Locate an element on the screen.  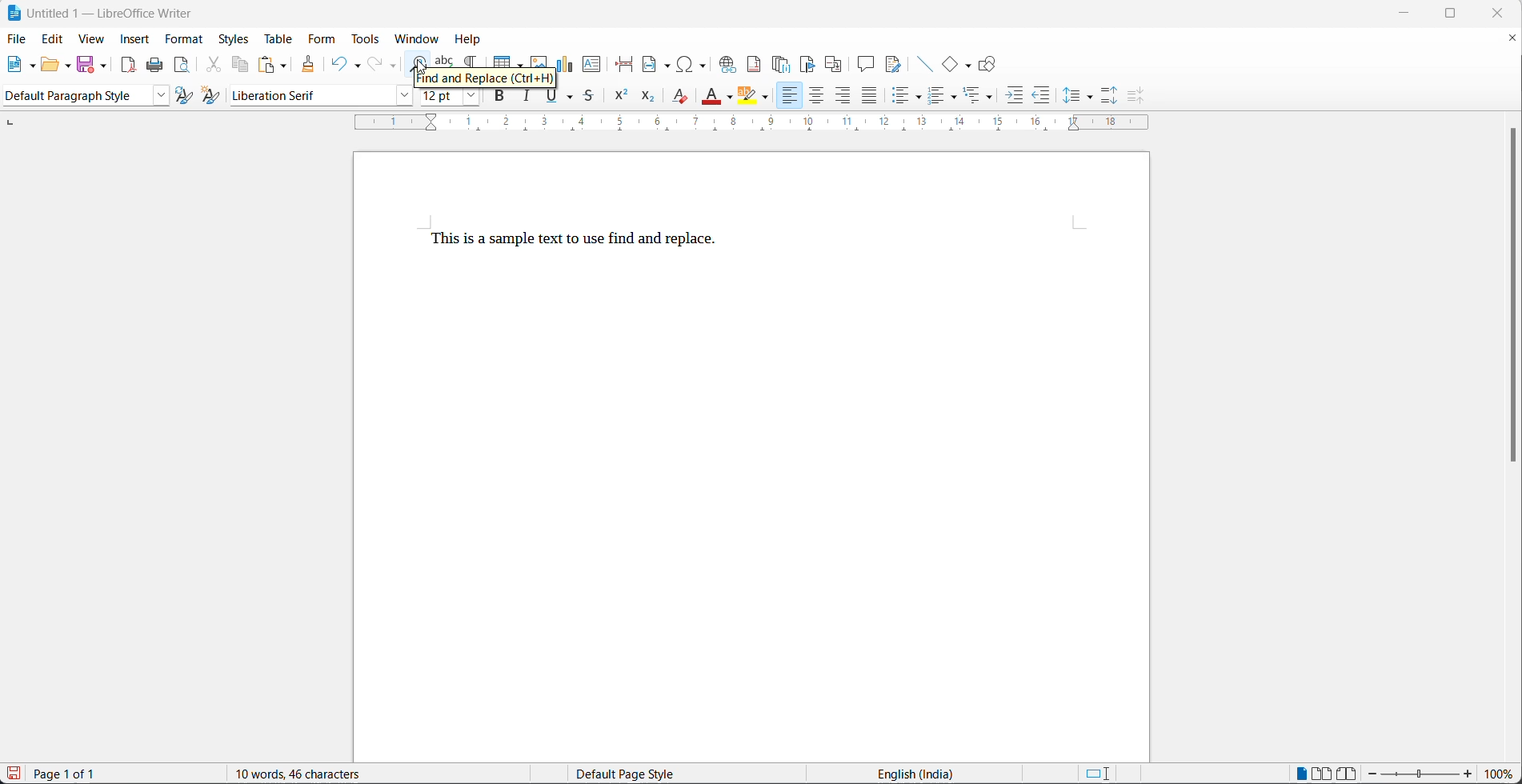
Page 1 of 1 is located at coordinates (70, 774).